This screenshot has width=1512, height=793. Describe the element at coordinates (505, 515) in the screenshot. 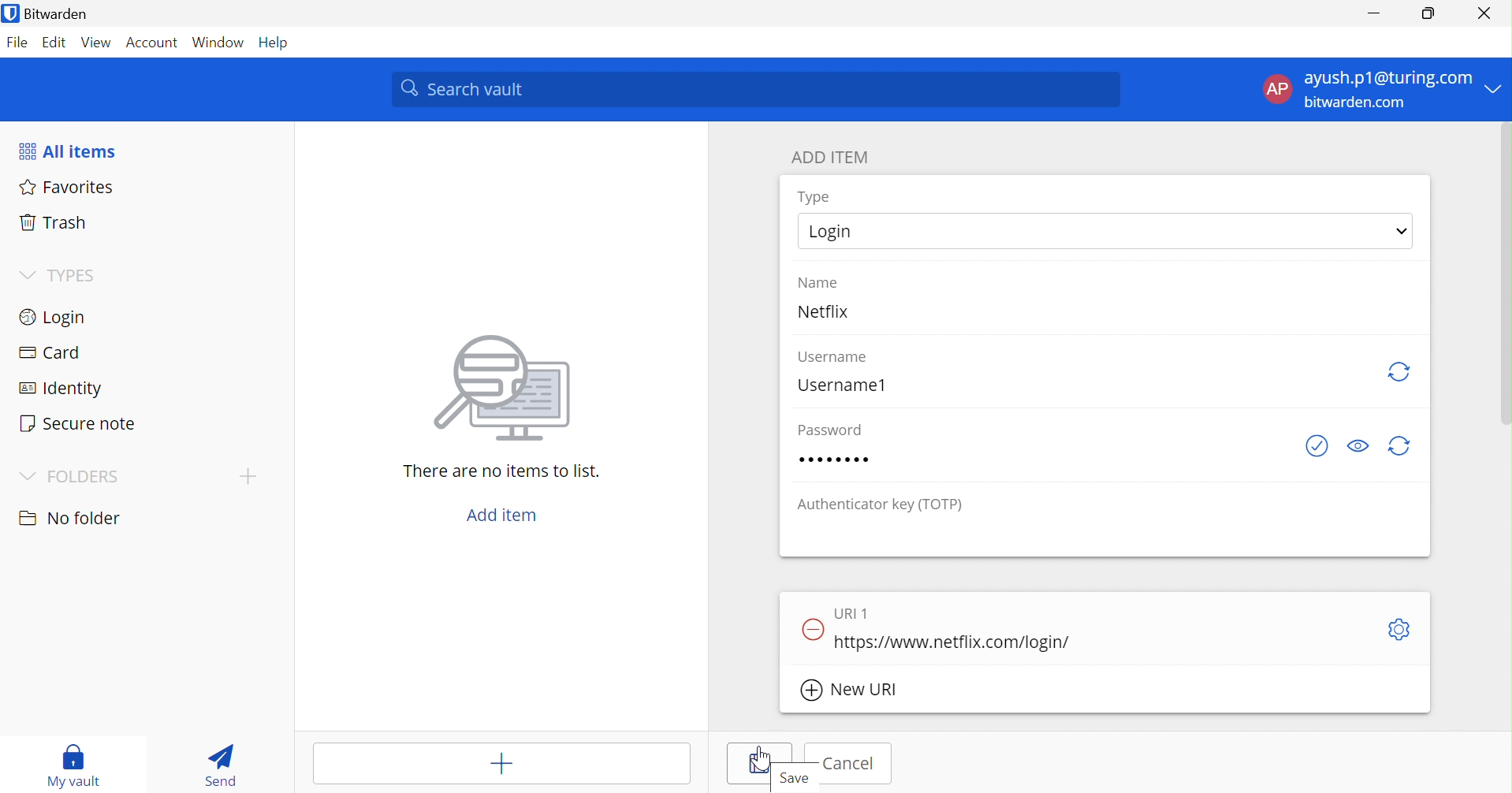

I see `Add item` at that location.